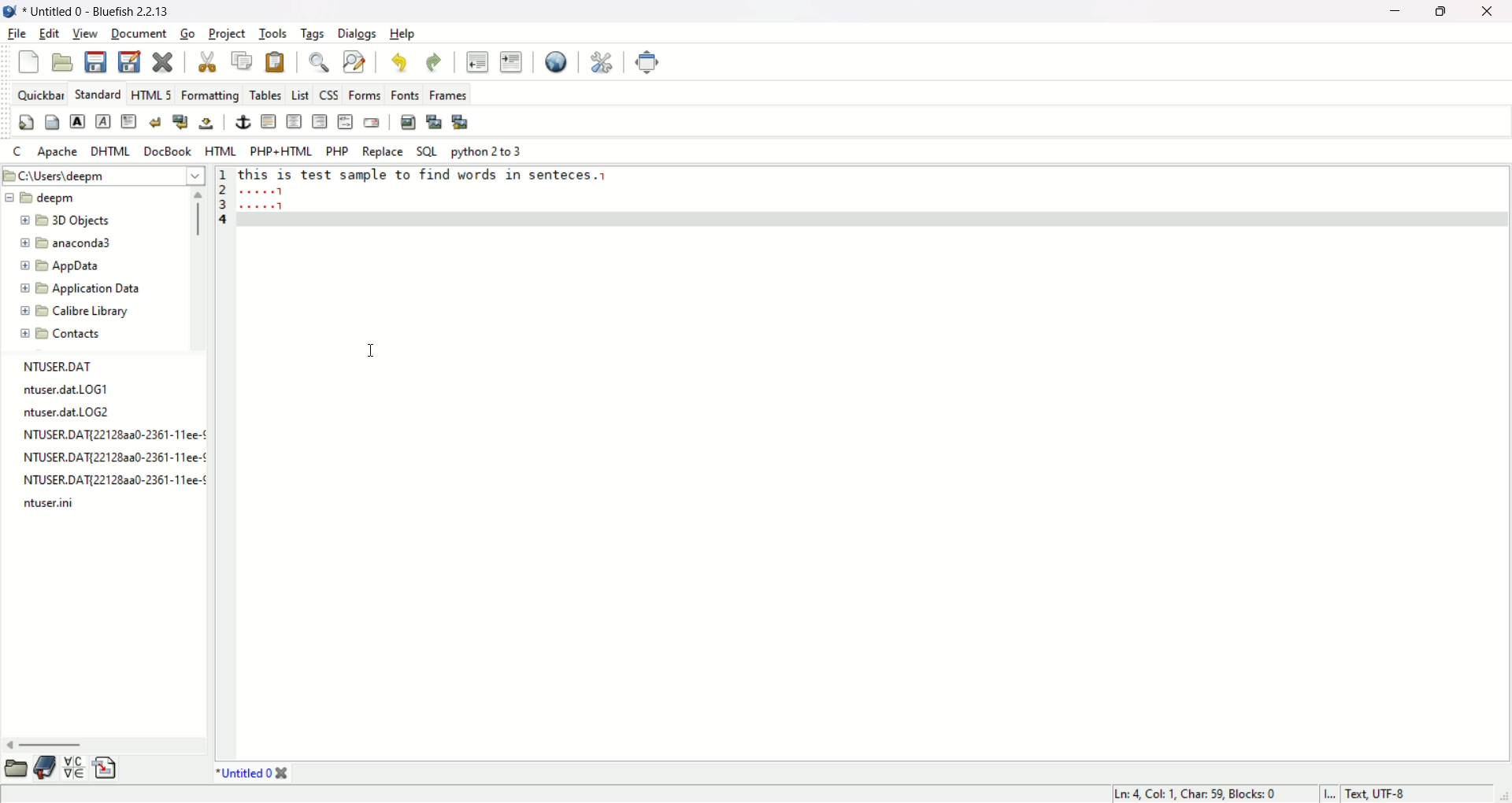 The image size is (1512, 803). What do you see at coordinates (648, 62) in the screenshot?
I see `fullscreen` at bounding box center [648, 62].